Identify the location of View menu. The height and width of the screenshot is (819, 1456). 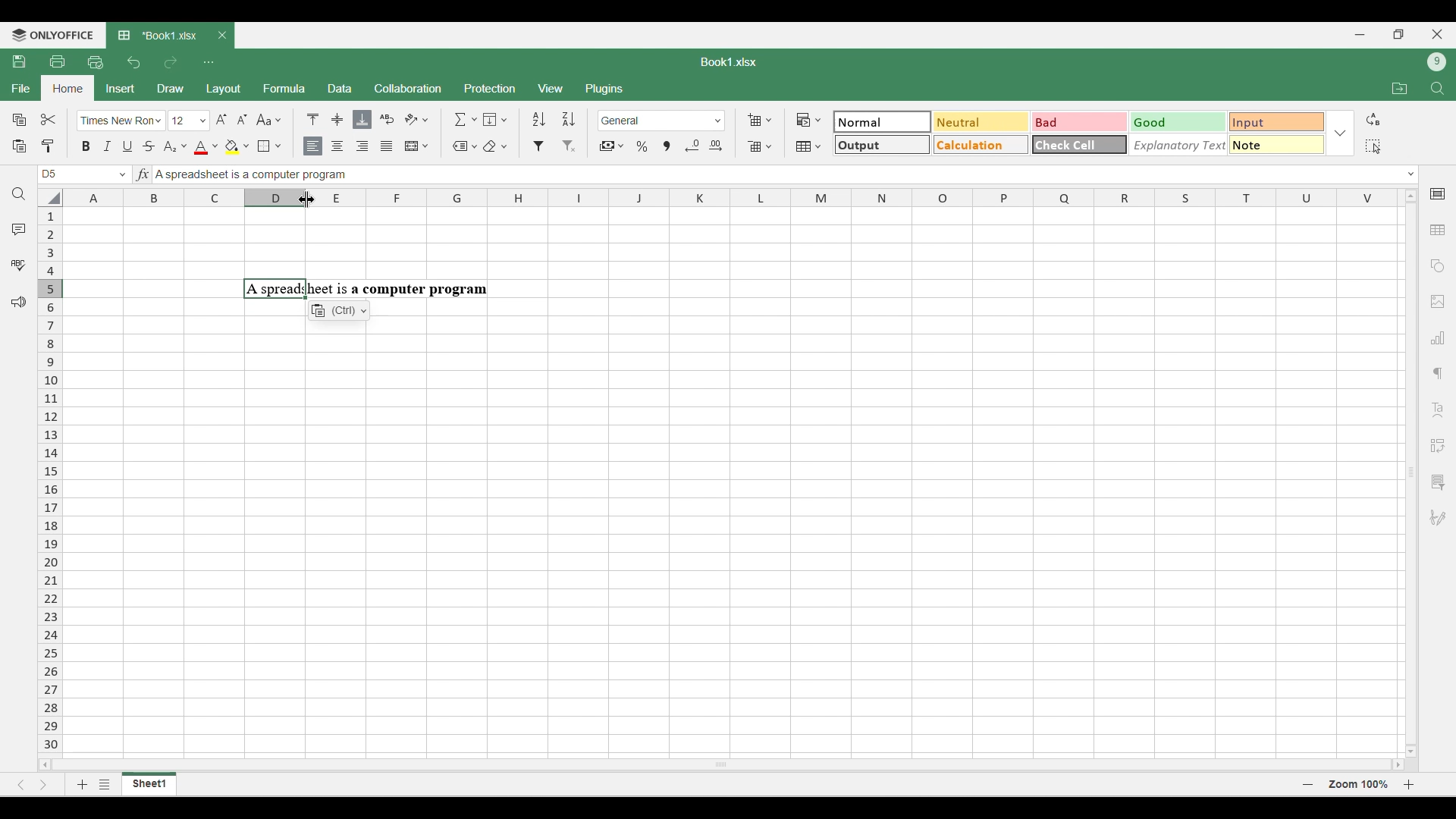
(552, 89).